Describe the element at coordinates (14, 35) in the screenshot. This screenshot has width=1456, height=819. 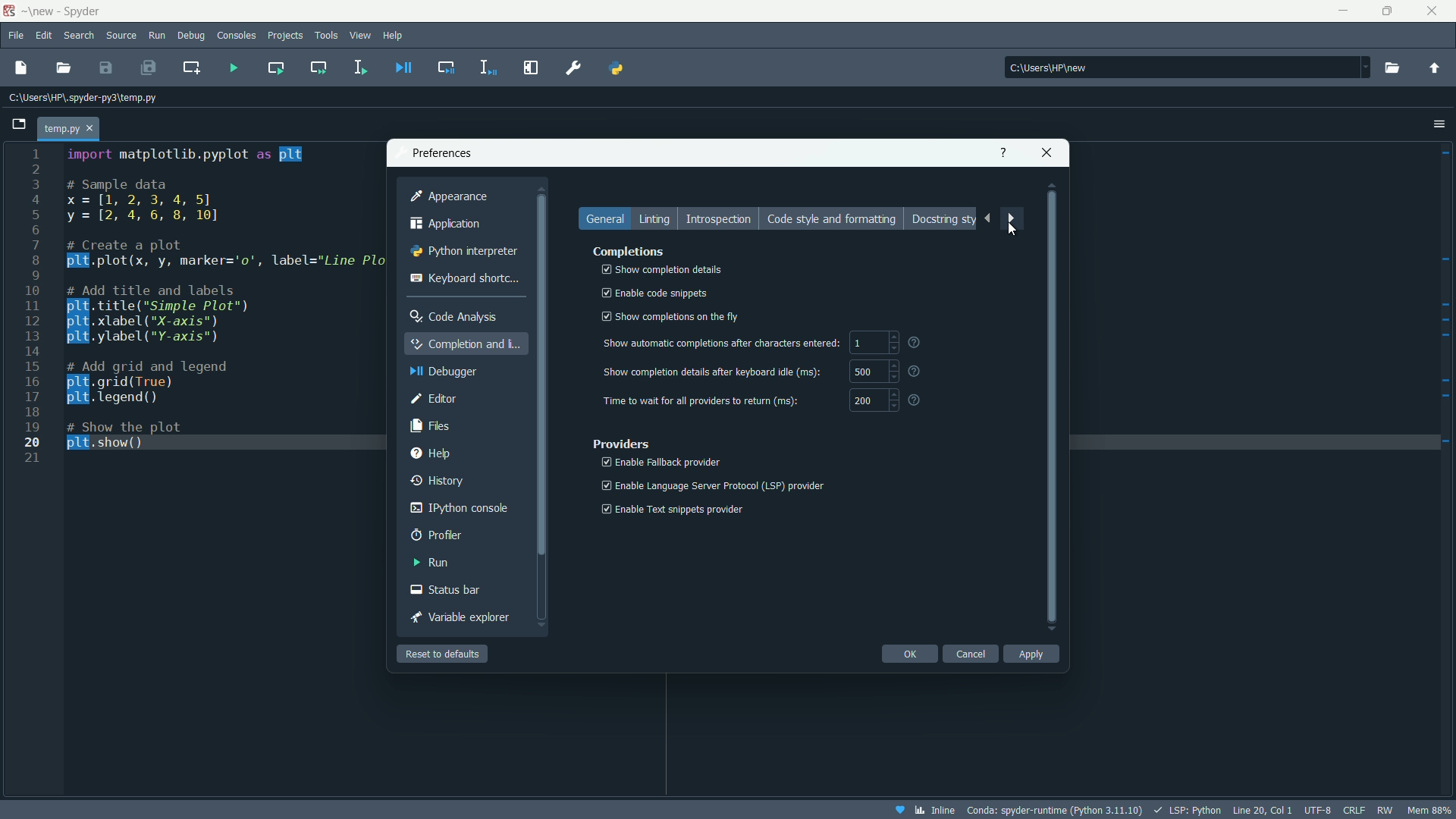
I see `file` at that location.